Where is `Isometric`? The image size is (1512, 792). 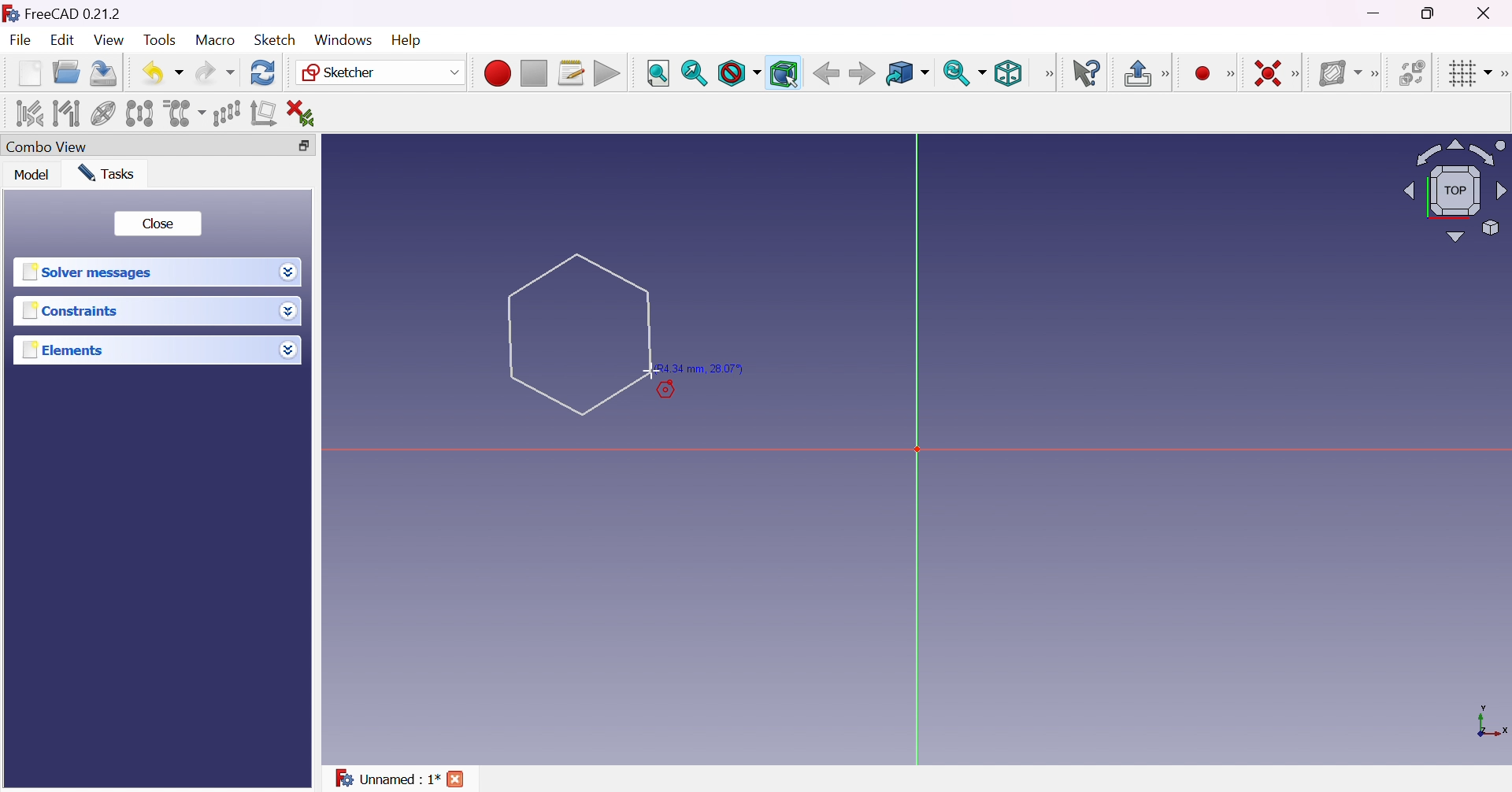 Isometric is located at coordinates (1008, 72).